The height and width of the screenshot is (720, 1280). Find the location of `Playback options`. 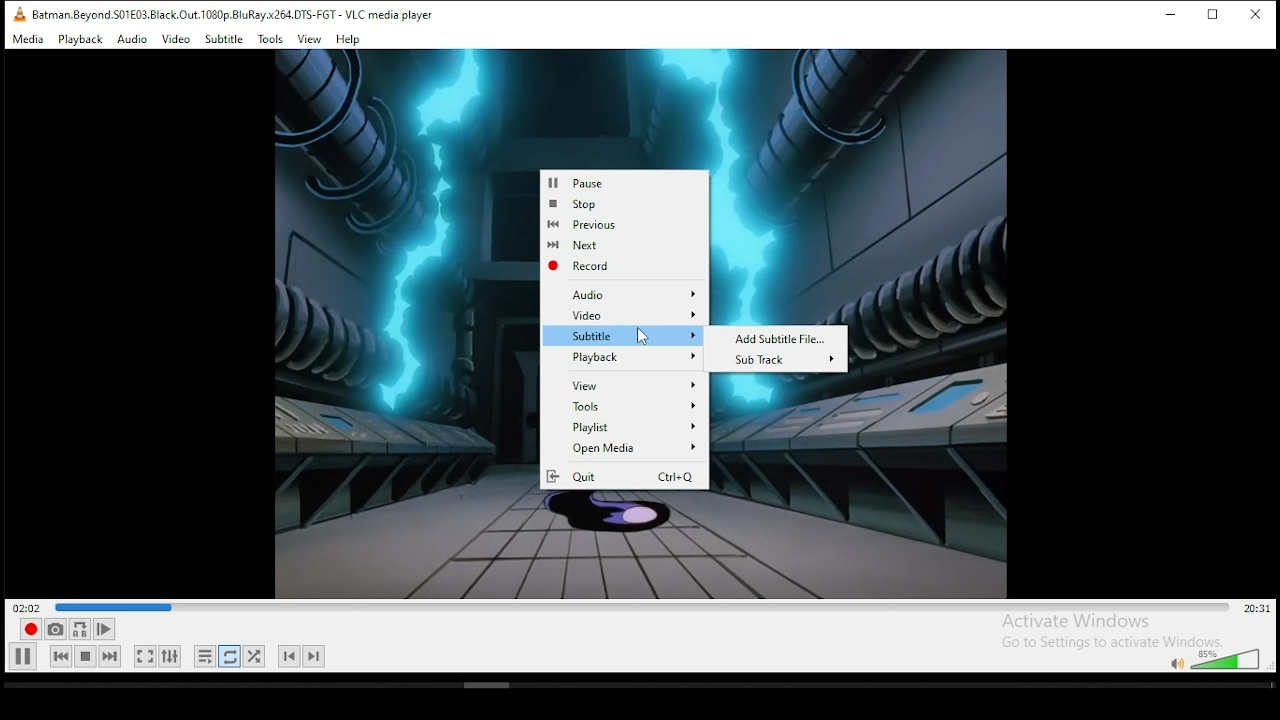

Playback options is located at coordinates (625, 357).